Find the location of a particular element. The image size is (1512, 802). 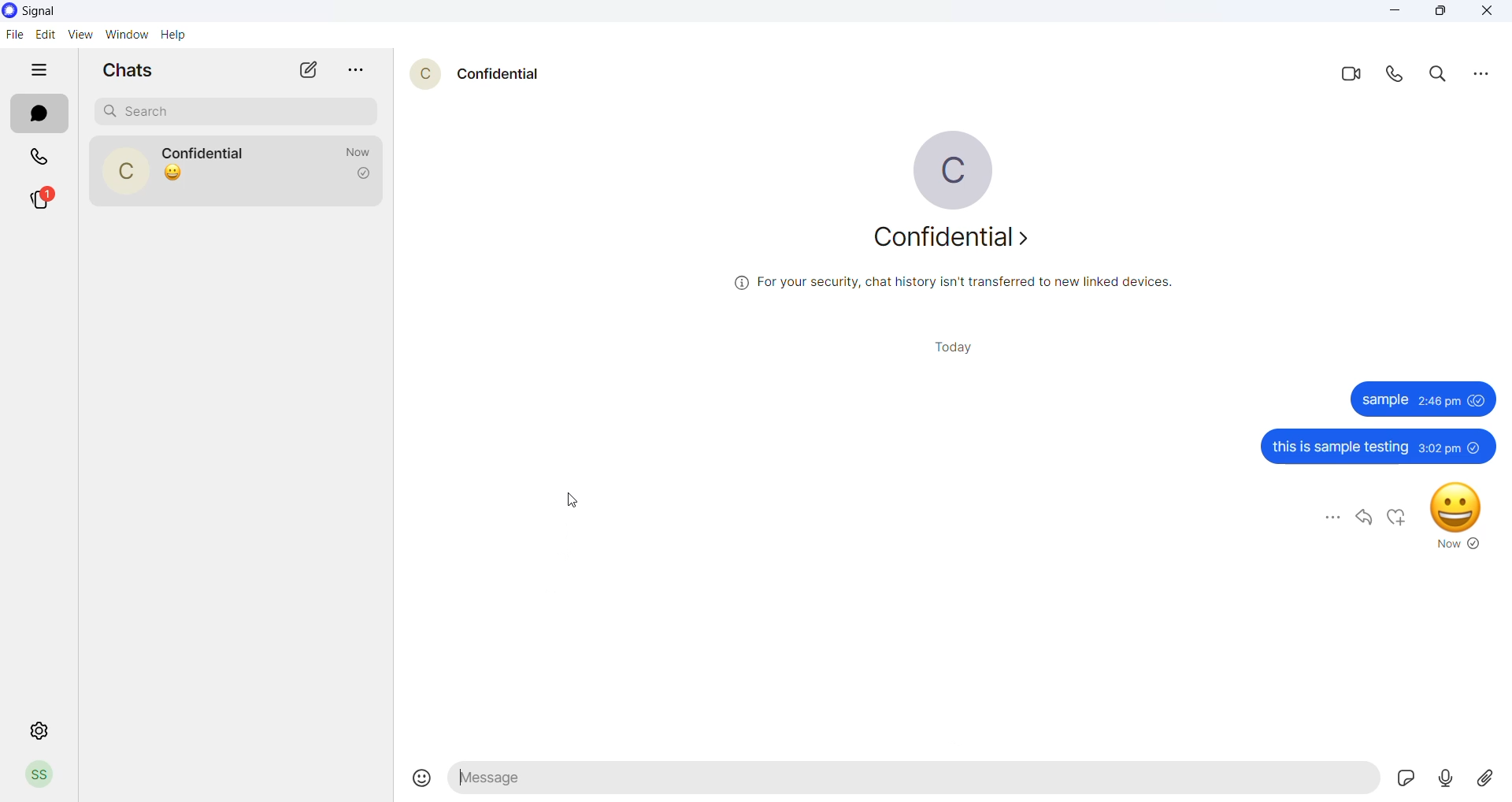

like is located at coordinates (1395, 516).